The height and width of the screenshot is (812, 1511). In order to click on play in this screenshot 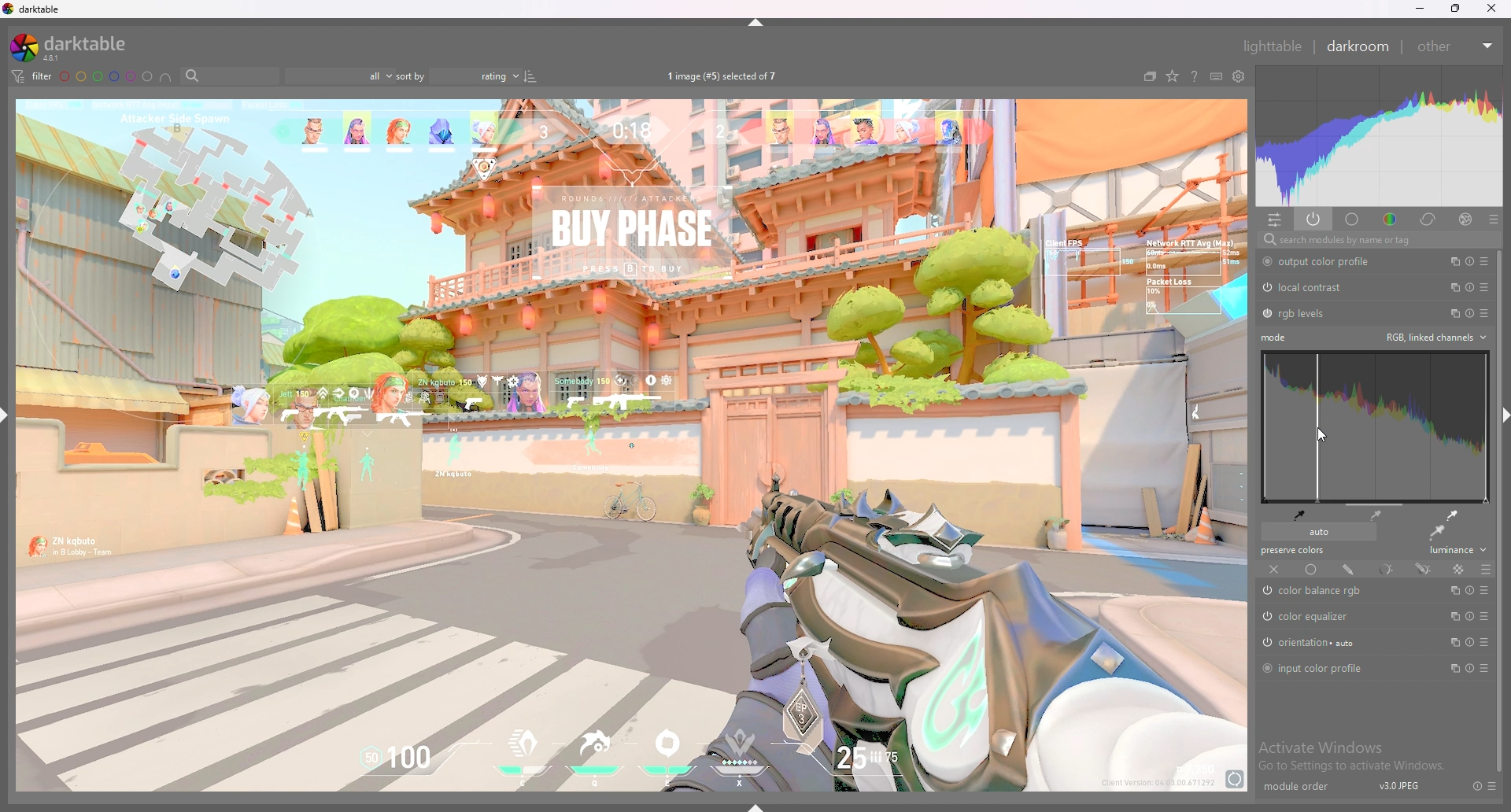, I will do `click(1470, 616)`.